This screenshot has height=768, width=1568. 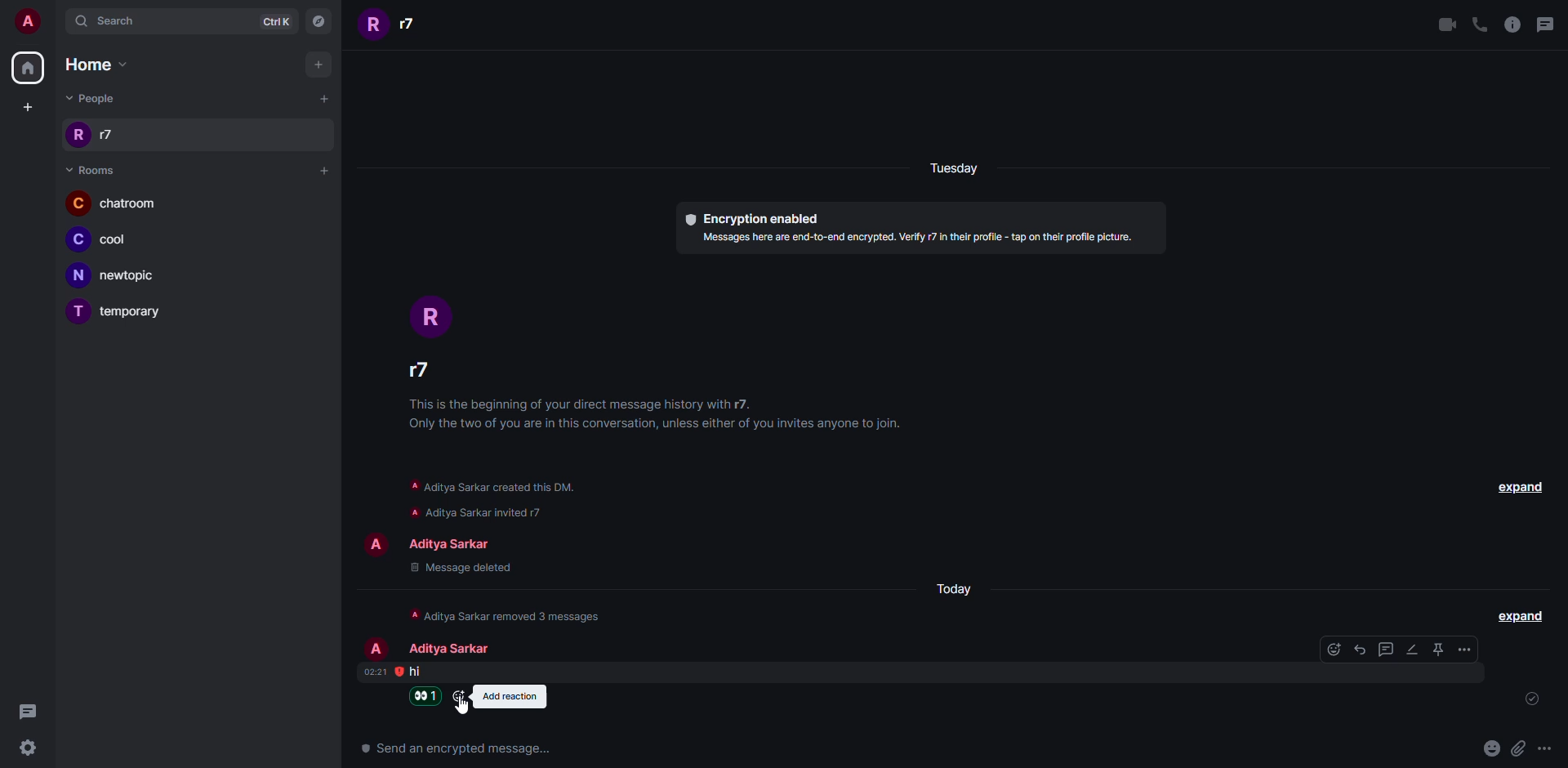 I want to click on video call, so click(x=1447, y=24).